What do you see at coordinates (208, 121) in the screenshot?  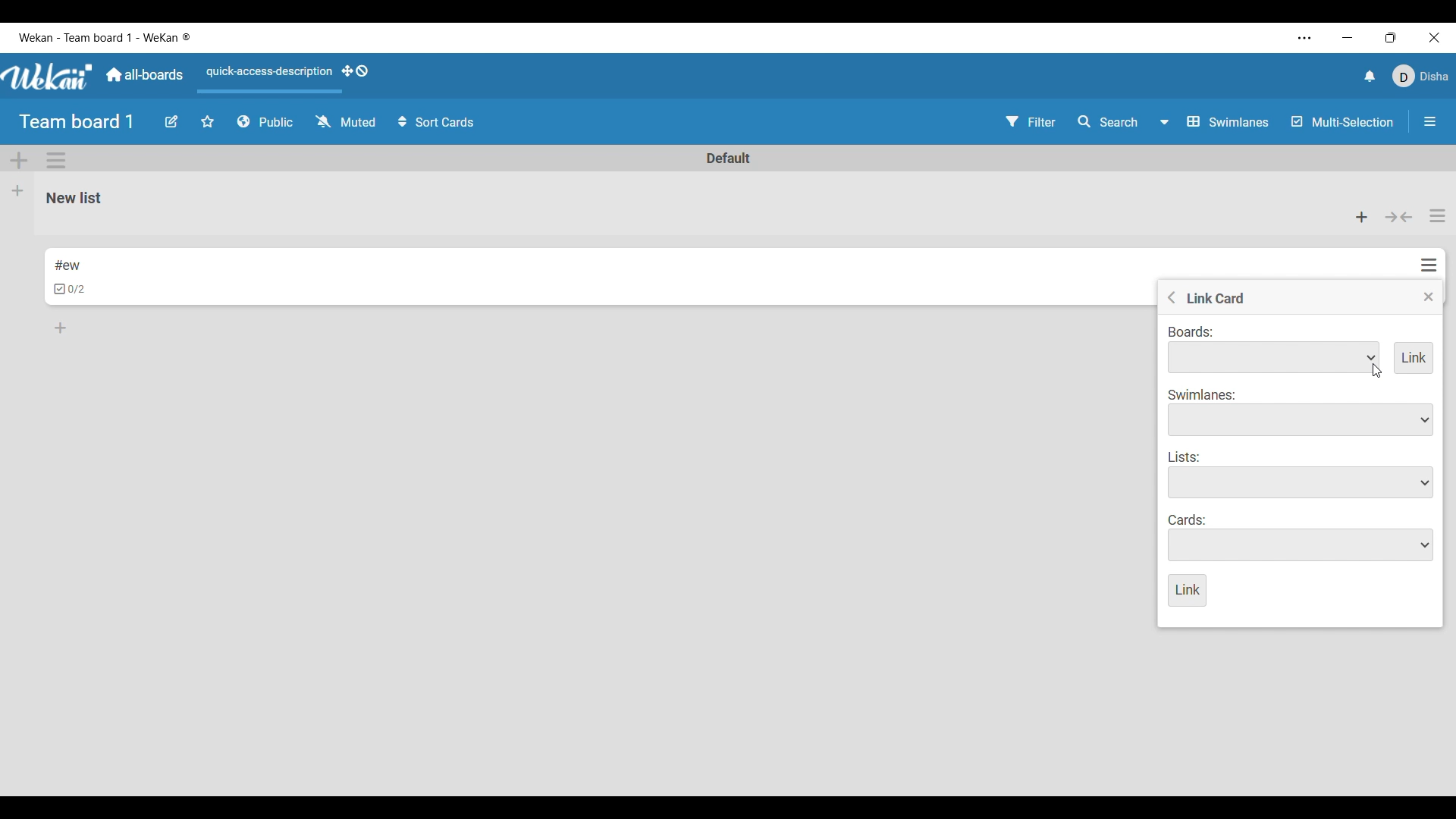 I see `Star board` at bounding box center [208, 121].